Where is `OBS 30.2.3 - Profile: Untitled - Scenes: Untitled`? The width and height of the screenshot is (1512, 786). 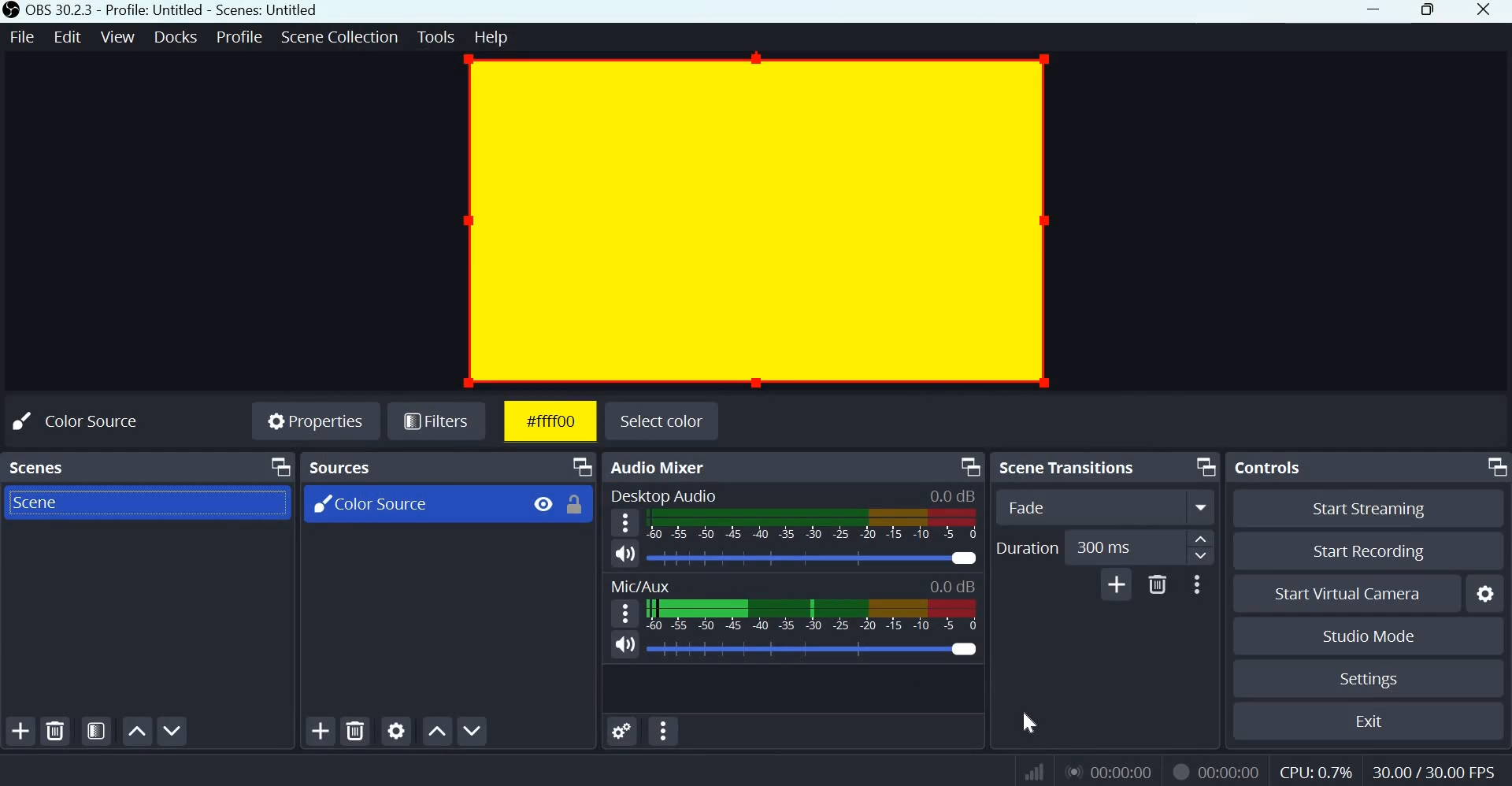
OBS 30.2.3 - Profile: Untitled - Scenes: Untitled is located at coordinates (173, 11).